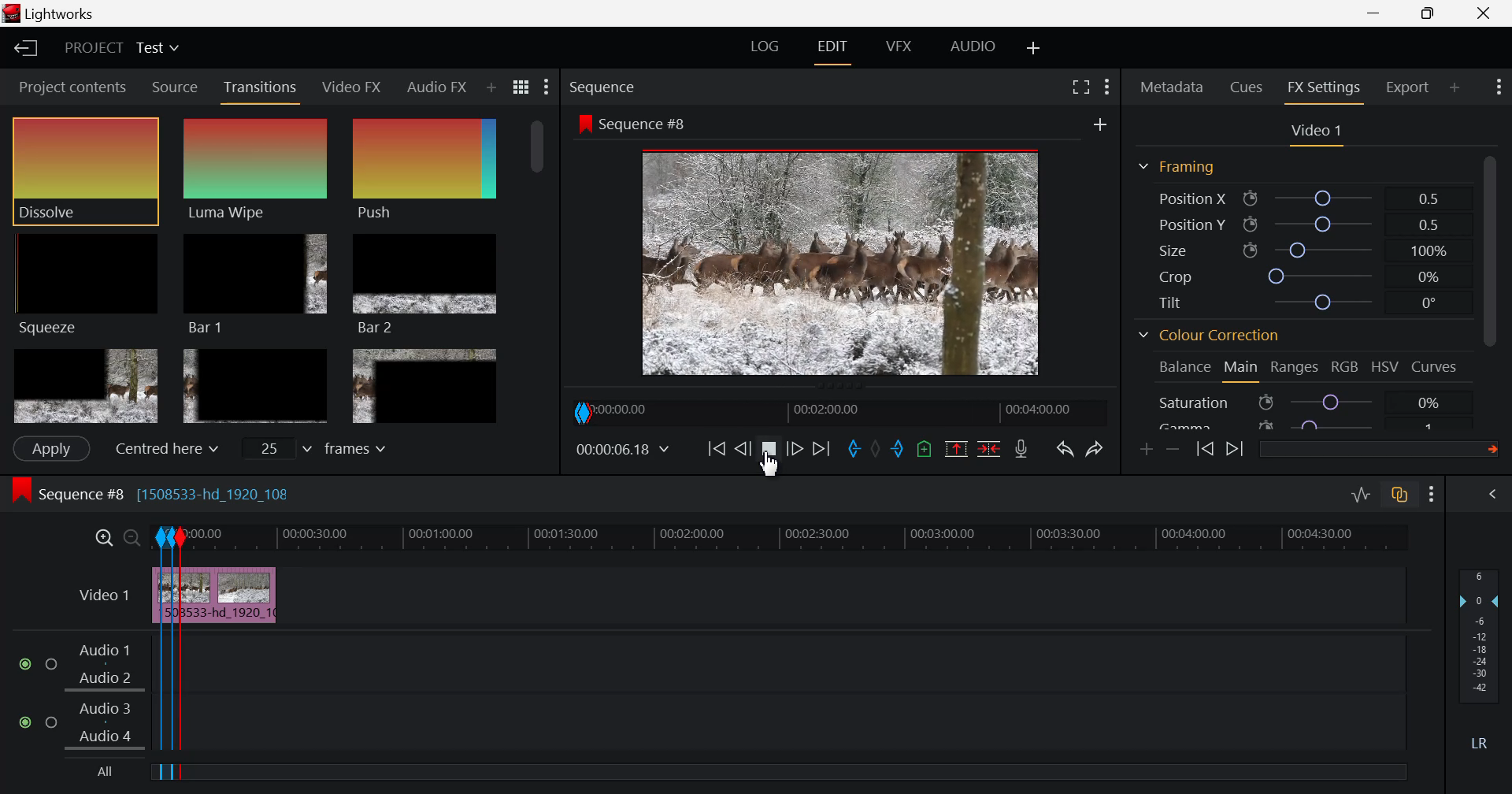 This screenshot has width=1512, height=794. Describe the element at coordinates (1242, 369) in the screenshot. I see `Main Tab Open` at that location.